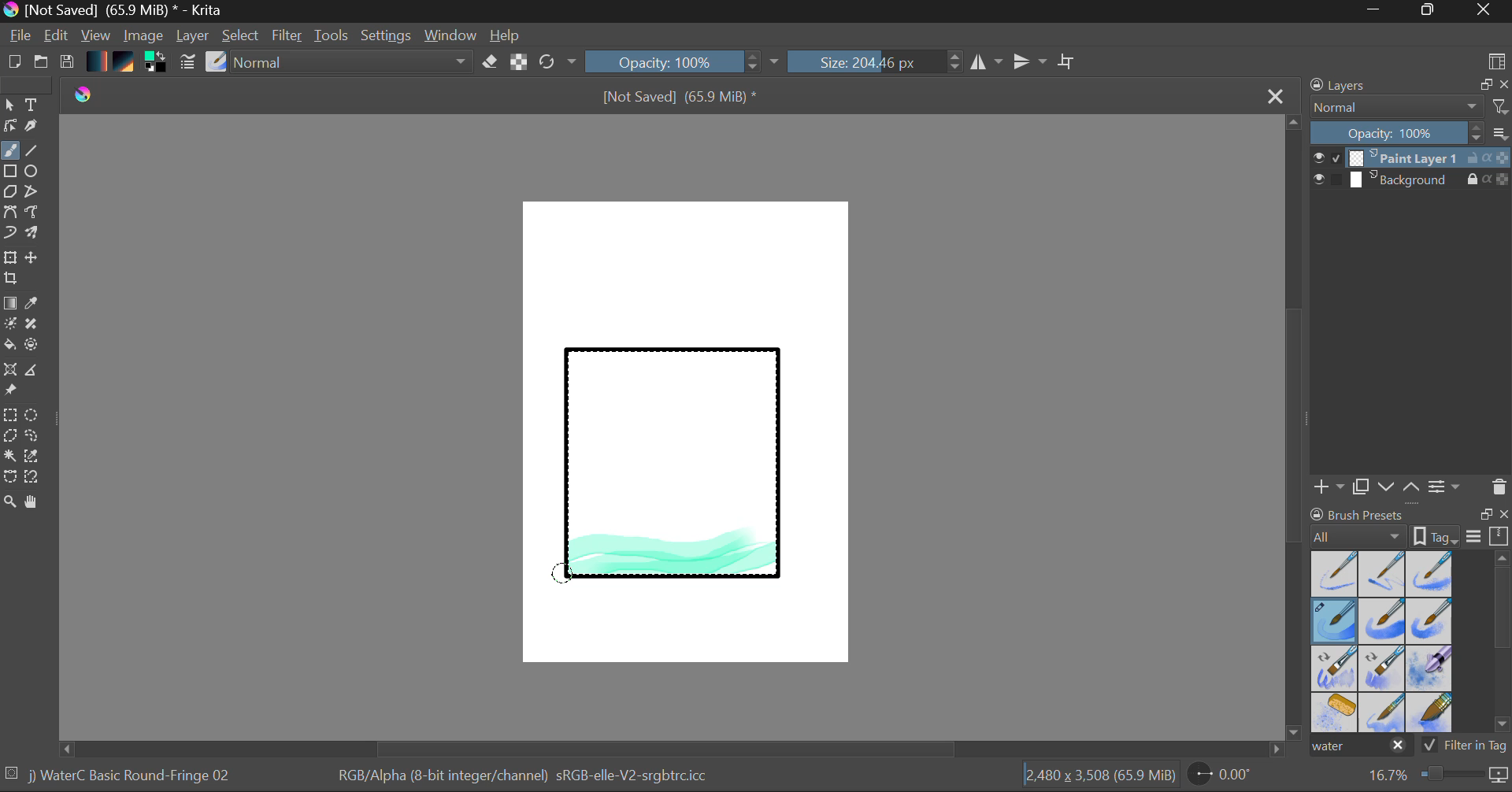  What do you see at coordinates (20, 38) in the screenshot?
I see `File` at bounding box center [20, 38].